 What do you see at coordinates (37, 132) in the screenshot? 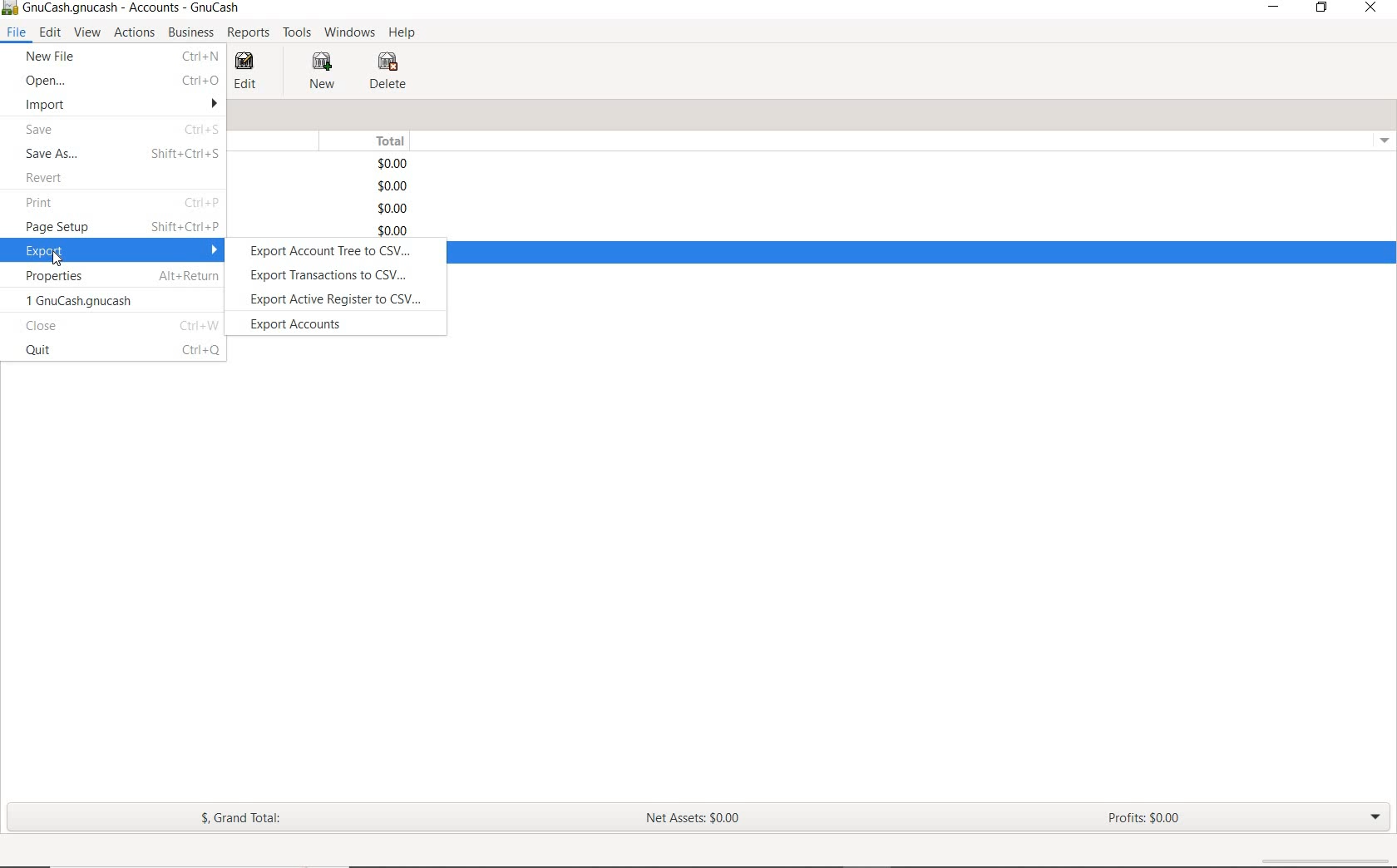
I see `SAVE` at bounding box center [37, 132].